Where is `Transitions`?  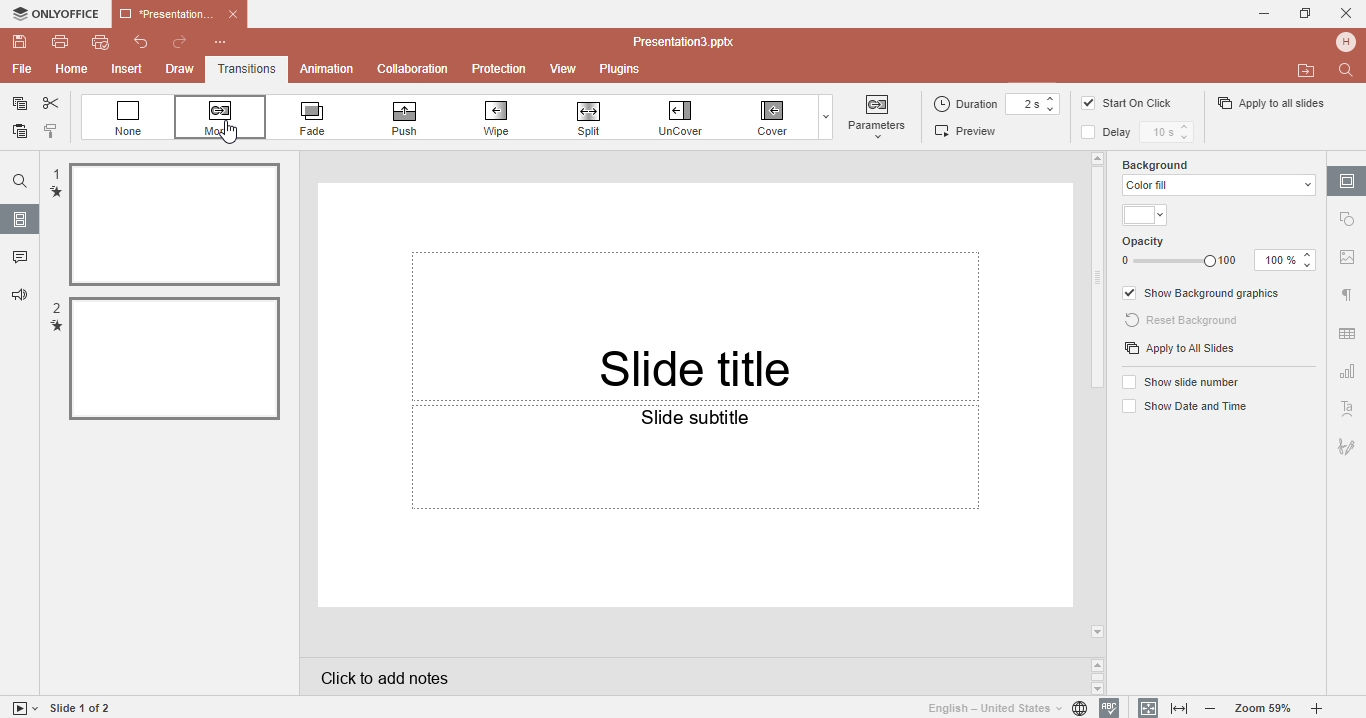 Transitions is located at coordinates (247, 70).